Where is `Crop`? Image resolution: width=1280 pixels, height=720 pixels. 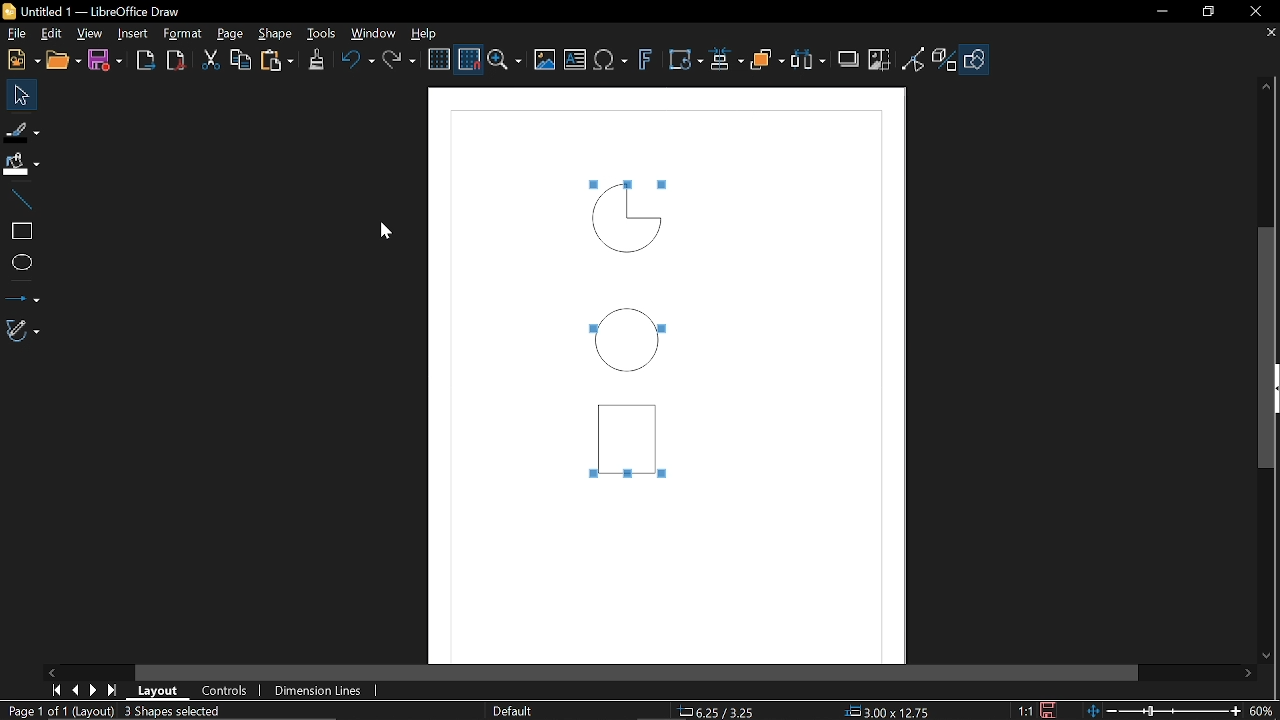
Crop is located at coordinates (879, 58).